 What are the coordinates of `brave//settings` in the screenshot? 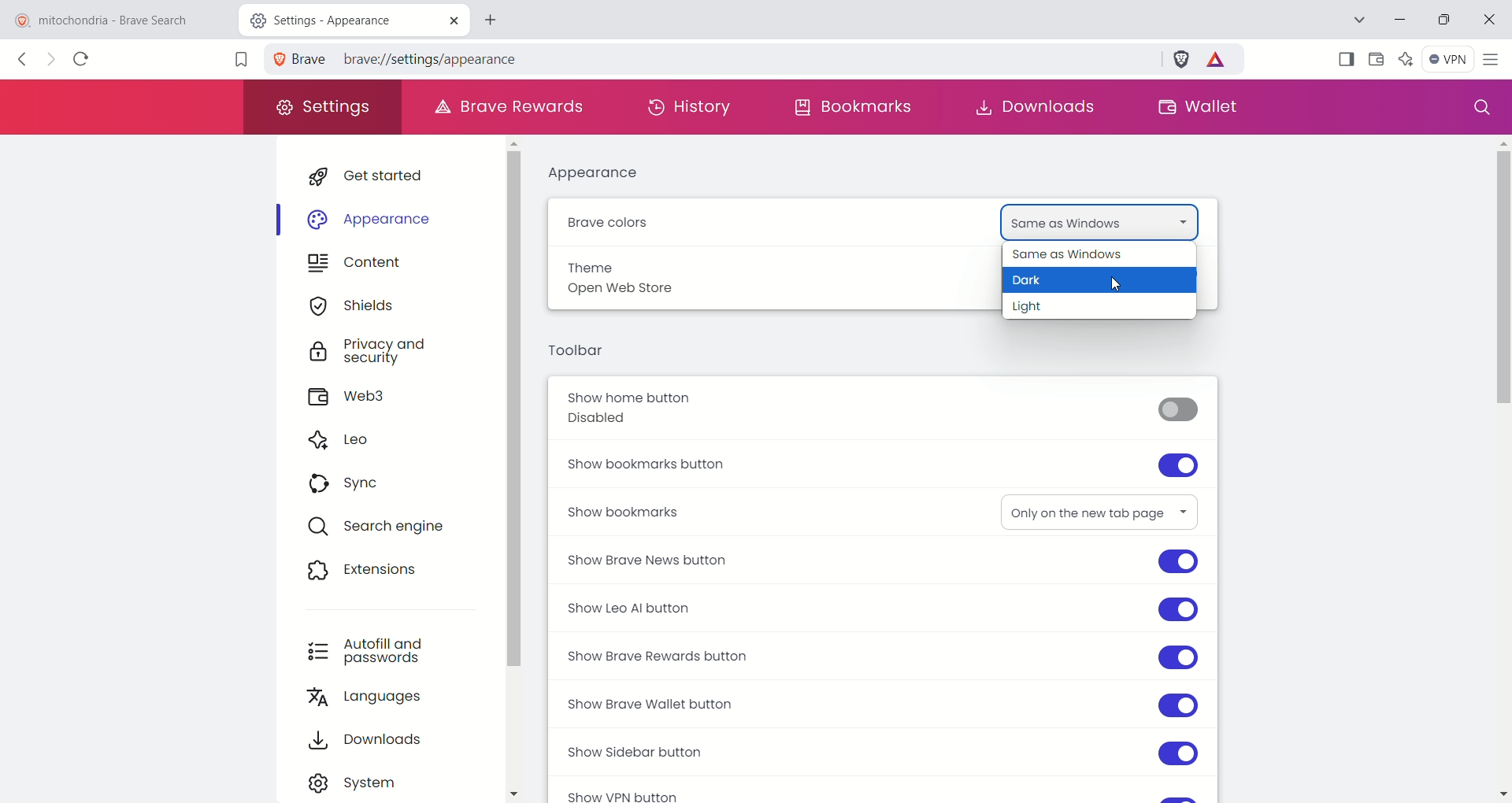 It's located at (402, 57).